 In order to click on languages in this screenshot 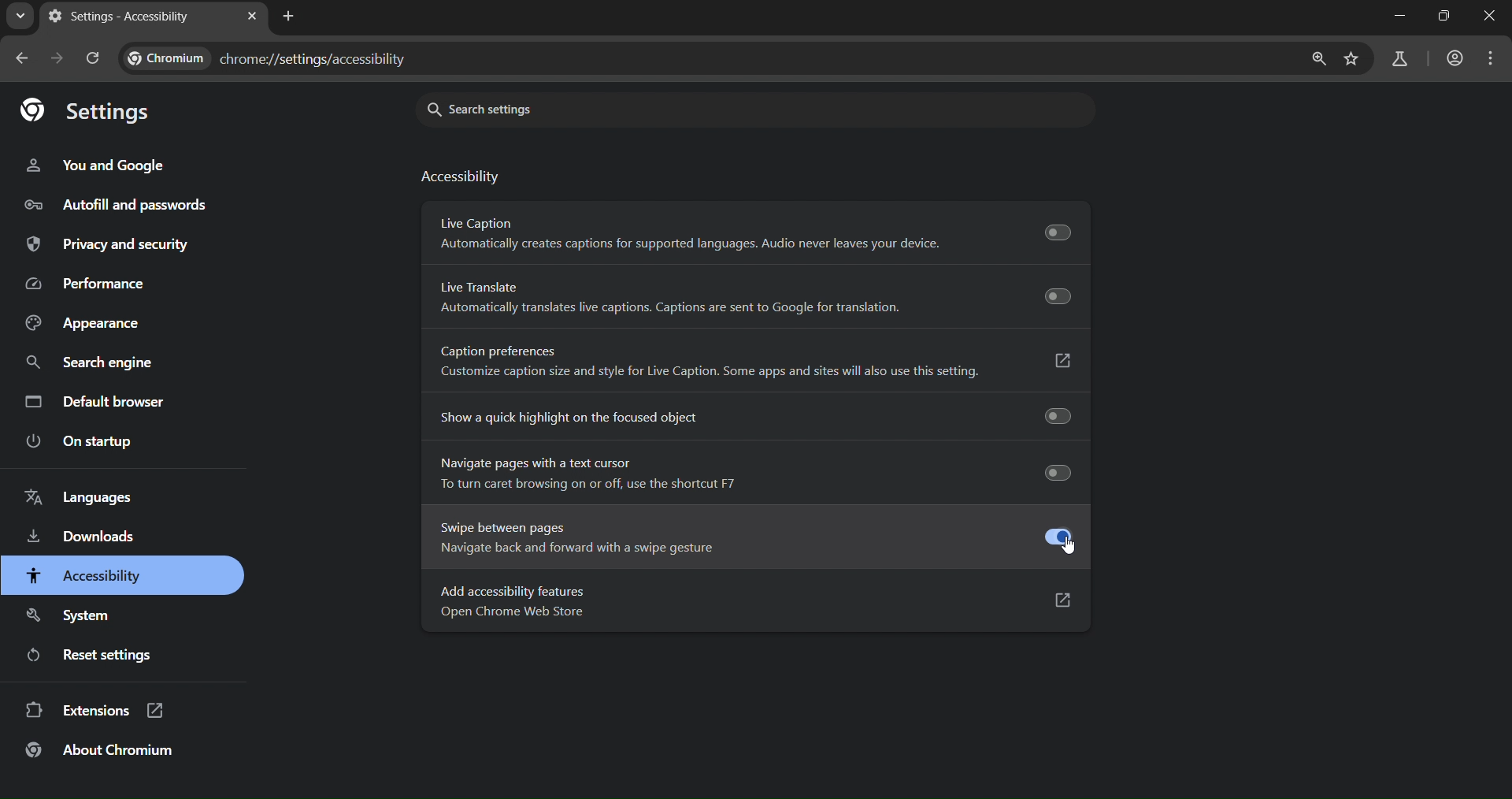, I will do `click(82, 497)`.